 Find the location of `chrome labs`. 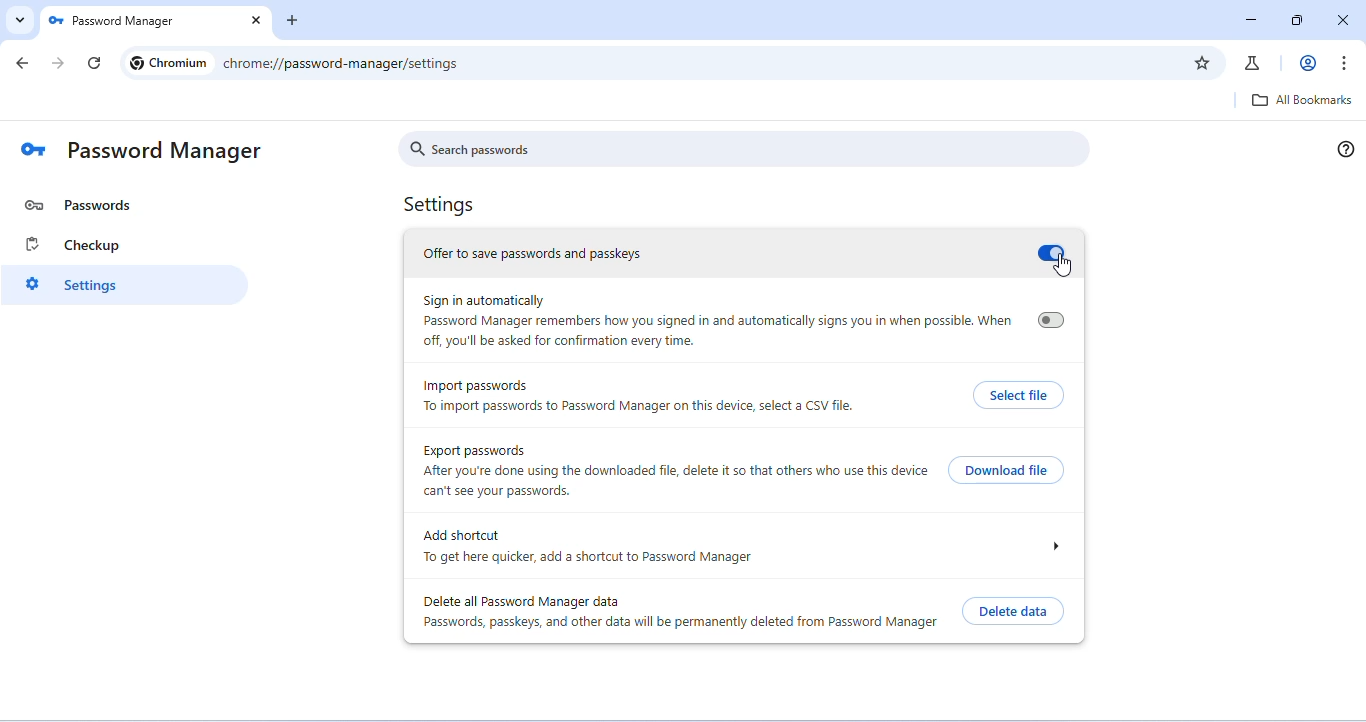

chrome labs is located at coordinates (1254, 63).